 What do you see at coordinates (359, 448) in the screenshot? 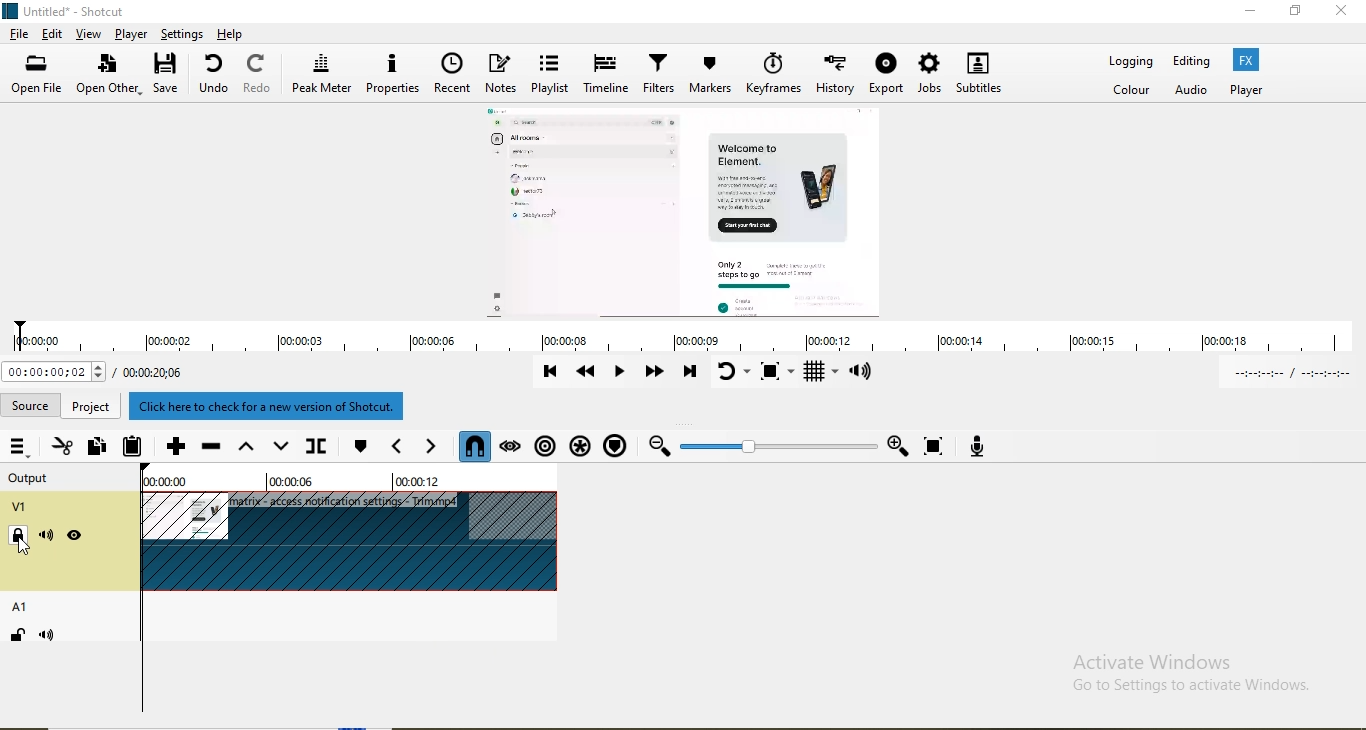
I see `create/edit marker` at bounding box center [359, 448].